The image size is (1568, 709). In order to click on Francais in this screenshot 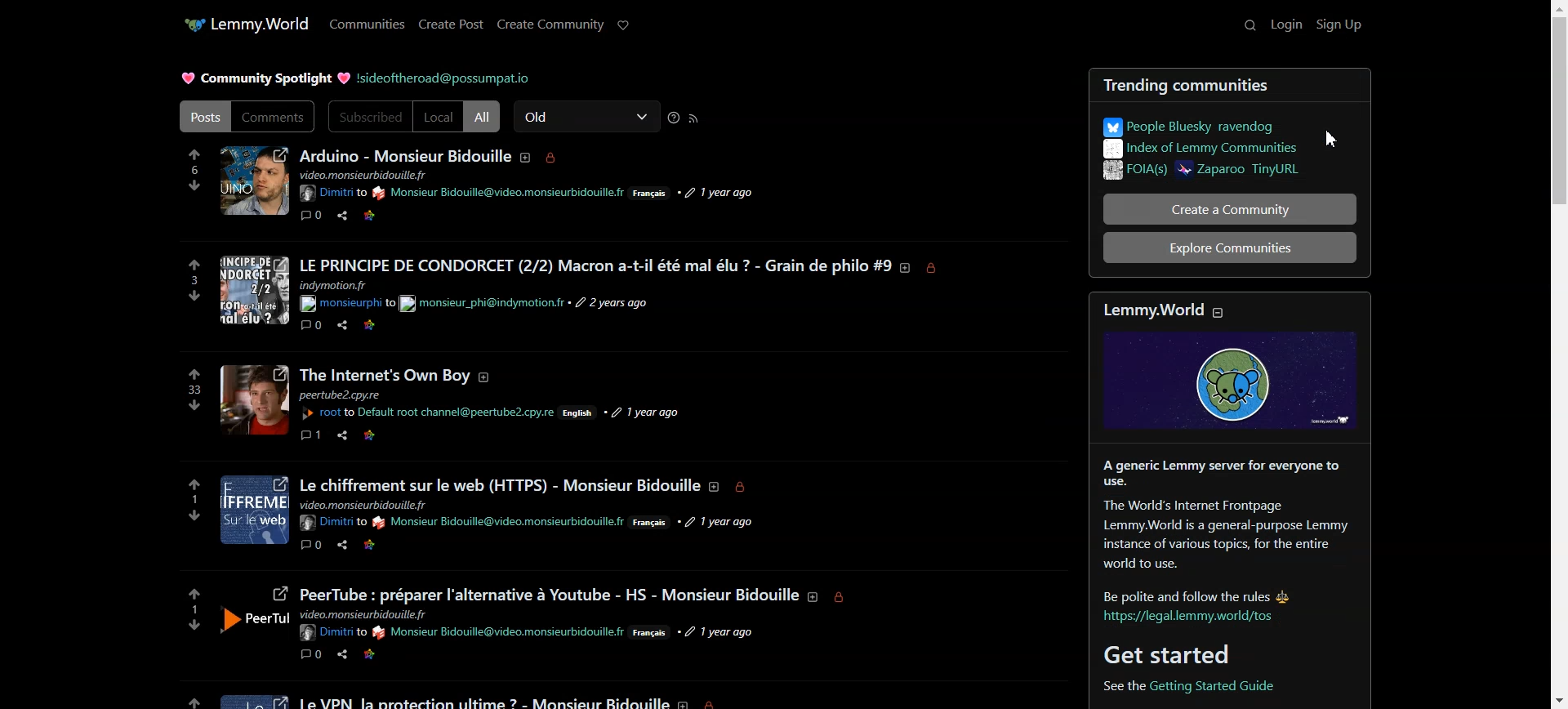, I will do `click(651, 194)`.